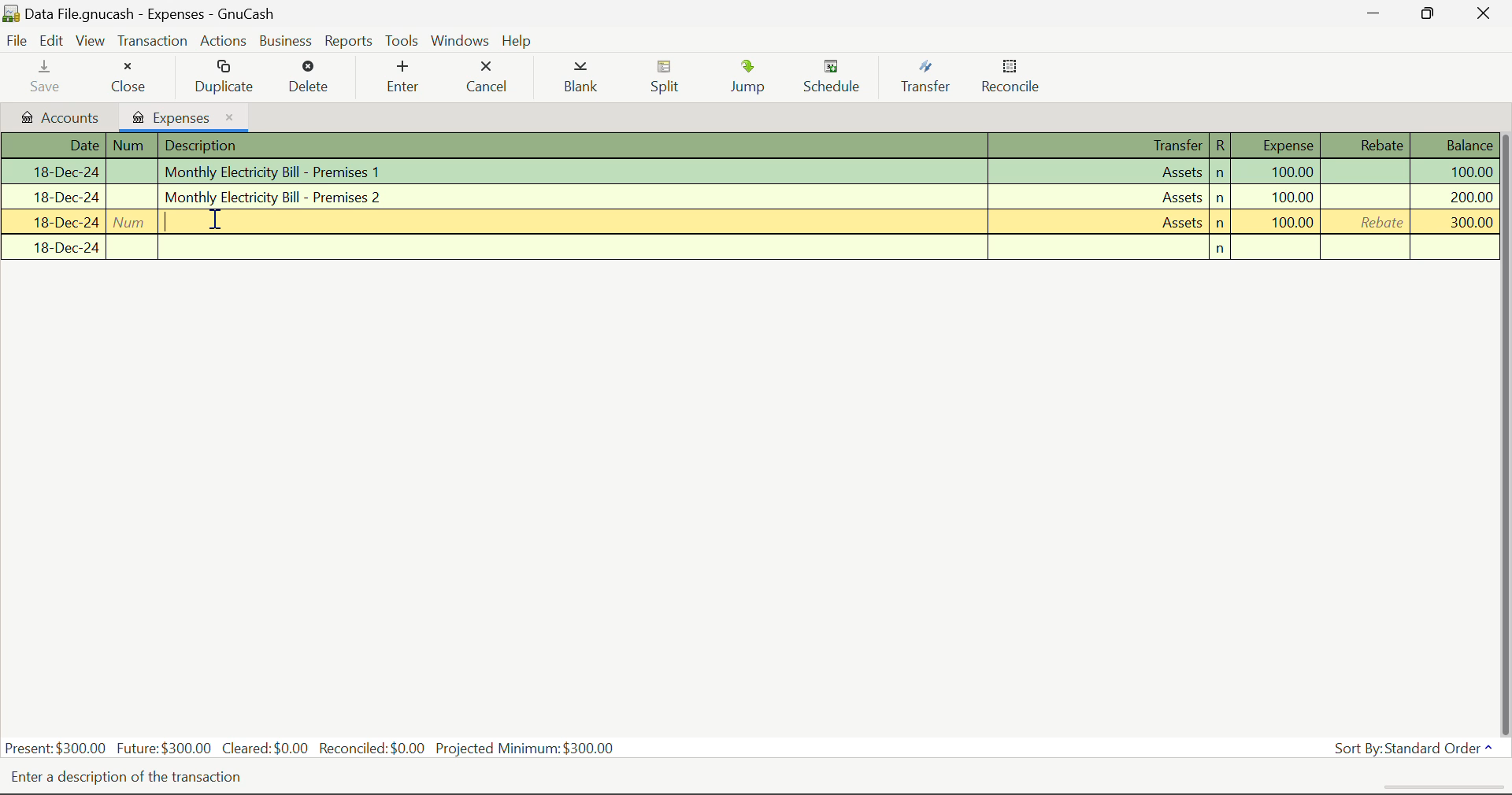 The width and height of the screenshot is (1512, 795). I want to click on Cursor Position, so click(216, 217).